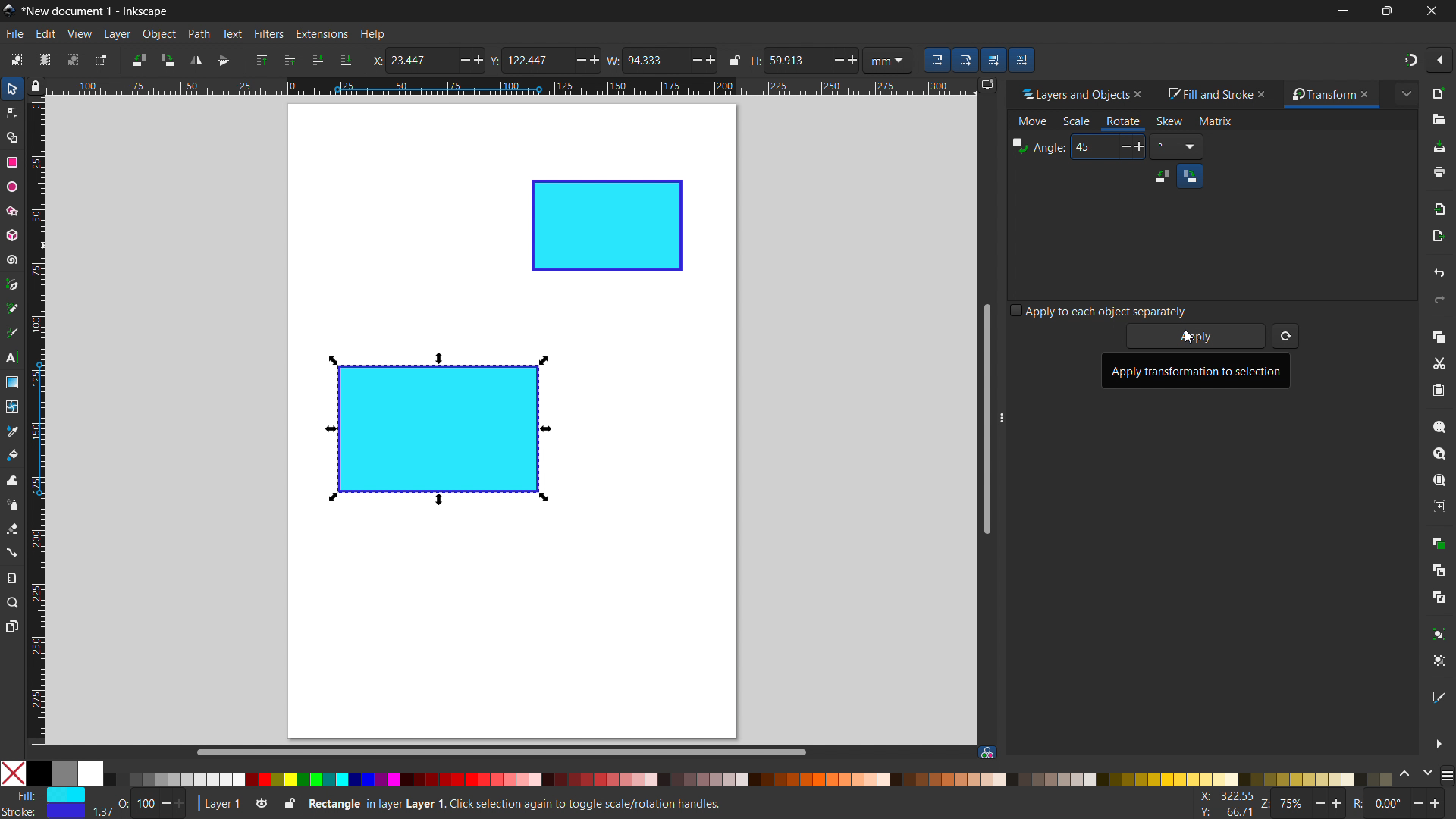  I want to click on ellipse tool, so click(11, 186).